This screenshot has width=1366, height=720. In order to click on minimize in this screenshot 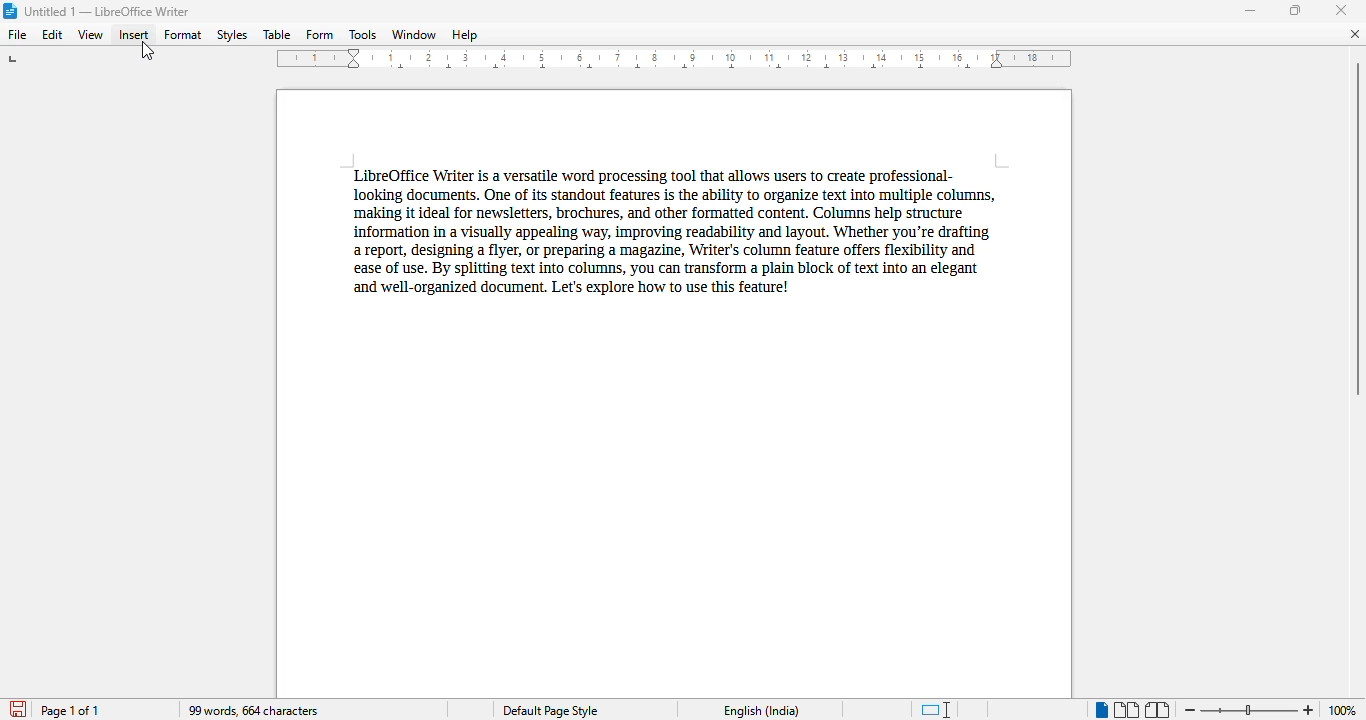, I will do `click(1251, 11)`.